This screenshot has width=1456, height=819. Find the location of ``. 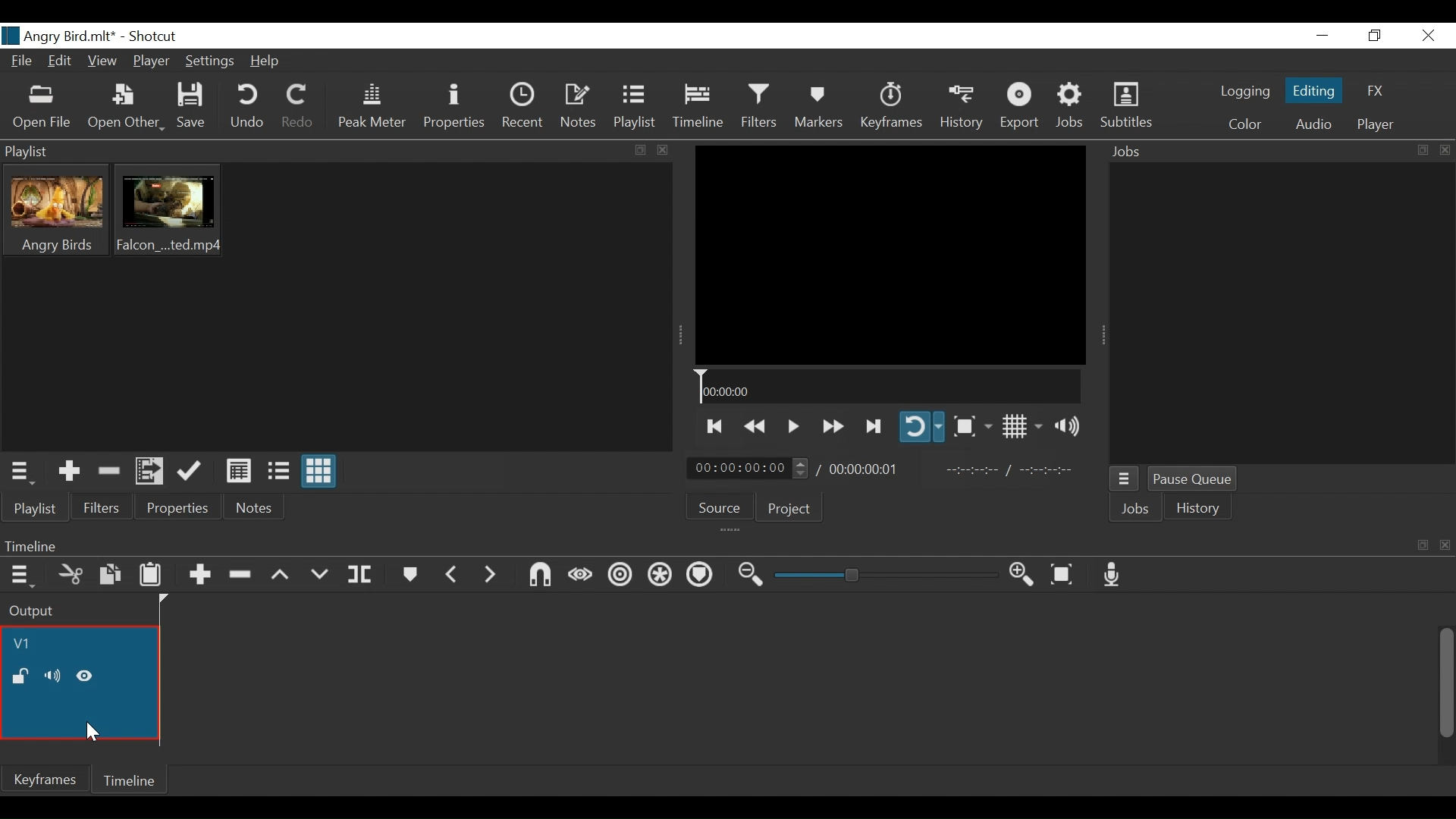

 is located at coordinates (818, 108).